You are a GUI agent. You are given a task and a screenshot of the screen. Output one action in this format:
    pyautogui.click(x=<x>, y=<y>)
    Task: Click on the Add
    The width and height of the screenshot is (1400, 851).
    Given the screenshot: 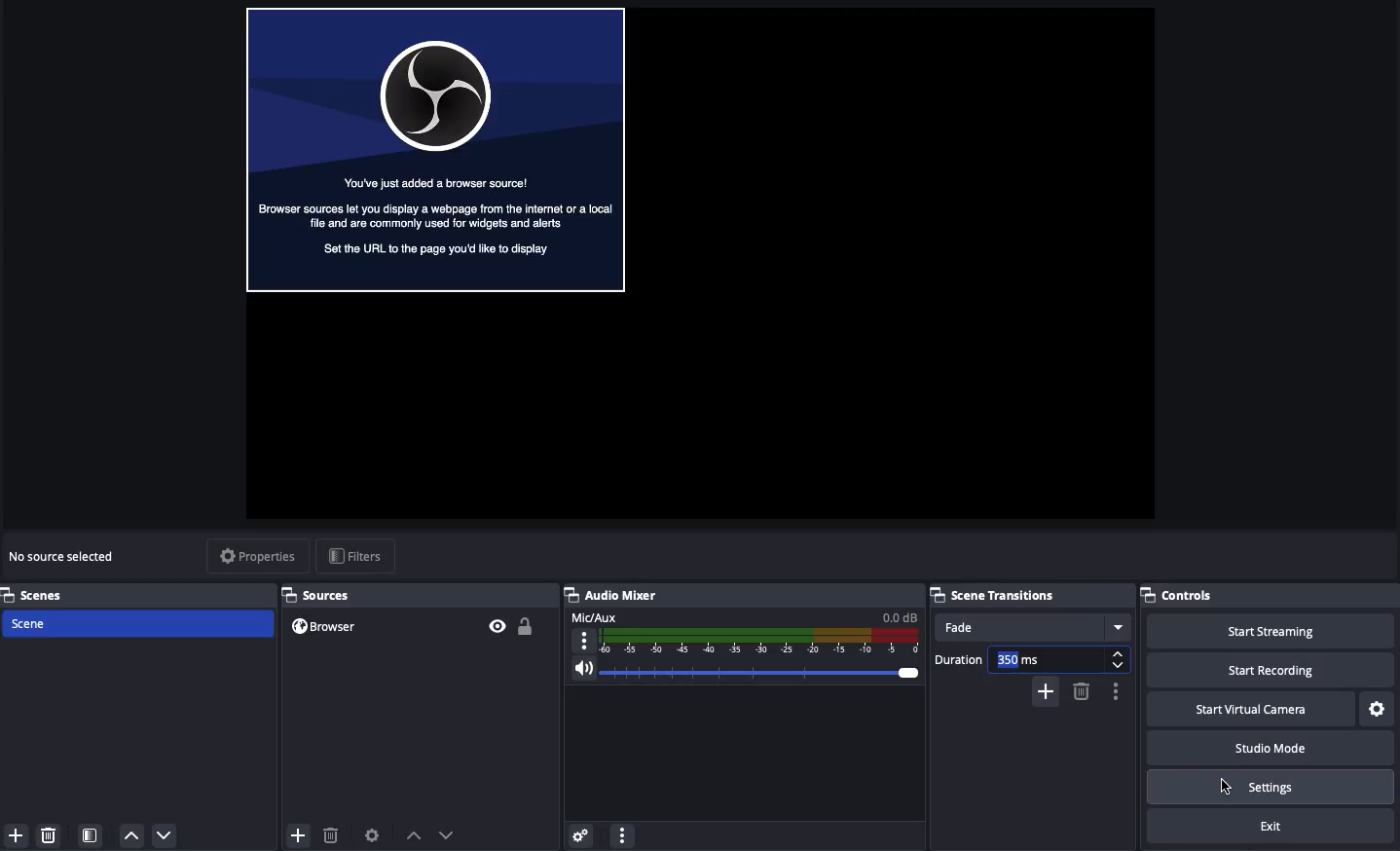 What is the action you would take?
    pyautogui.click(x=16, y=835)
    